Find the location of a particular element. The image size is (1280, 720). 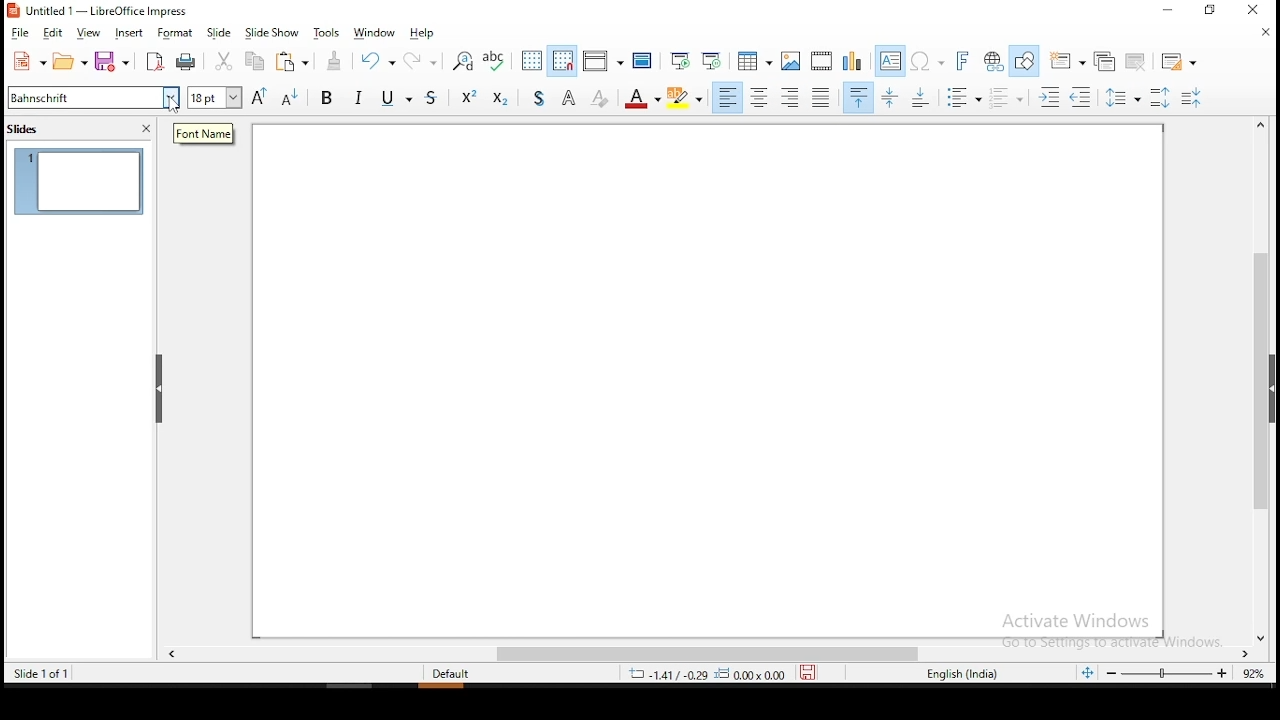

format is located at coordinates (177, 31).